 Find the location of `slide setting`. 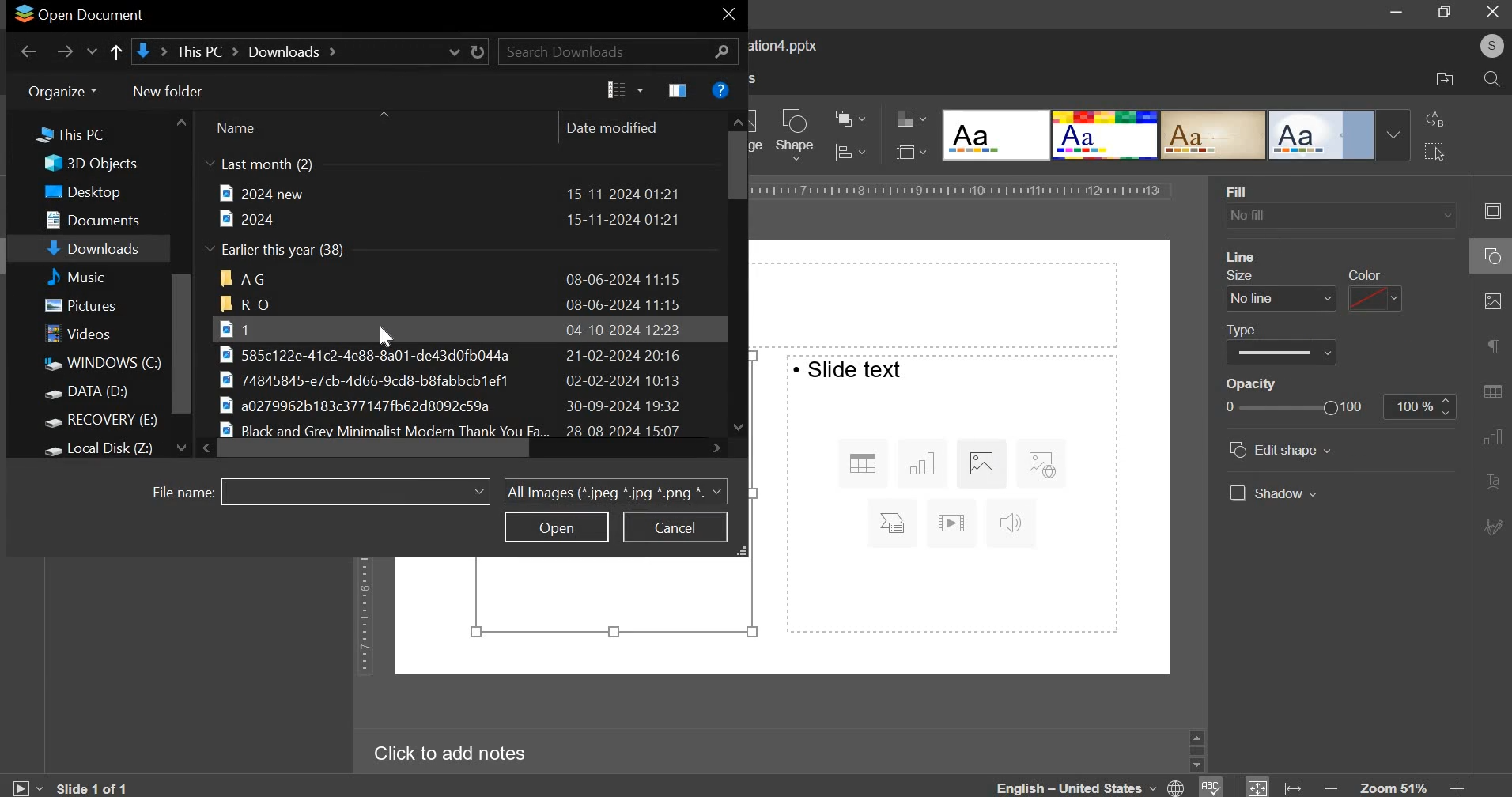

slide setting is located at coordinates (1489, 211).